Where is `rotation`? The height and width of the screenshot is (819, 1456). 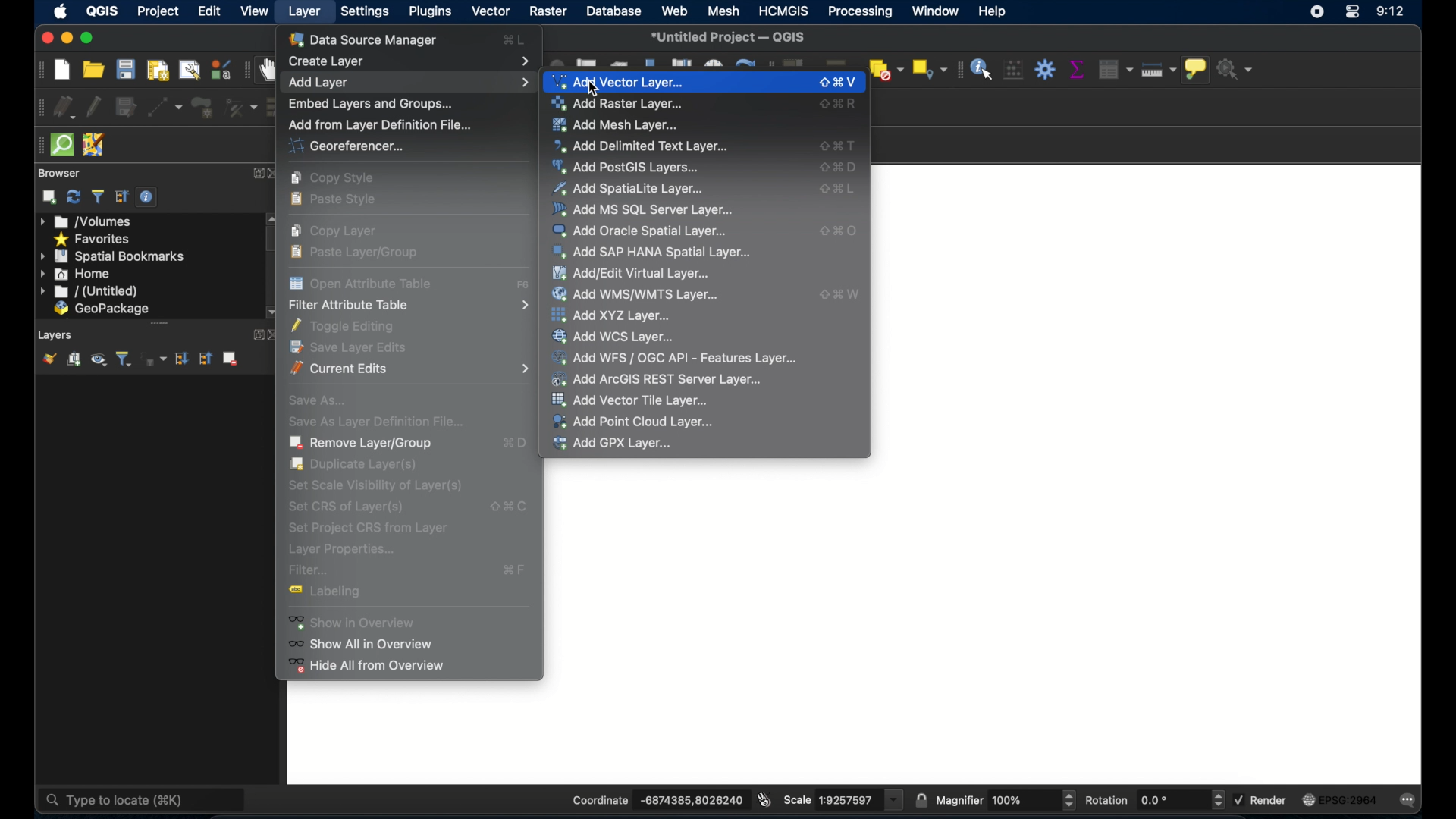 rotation is located at coordinates (1155, 800).